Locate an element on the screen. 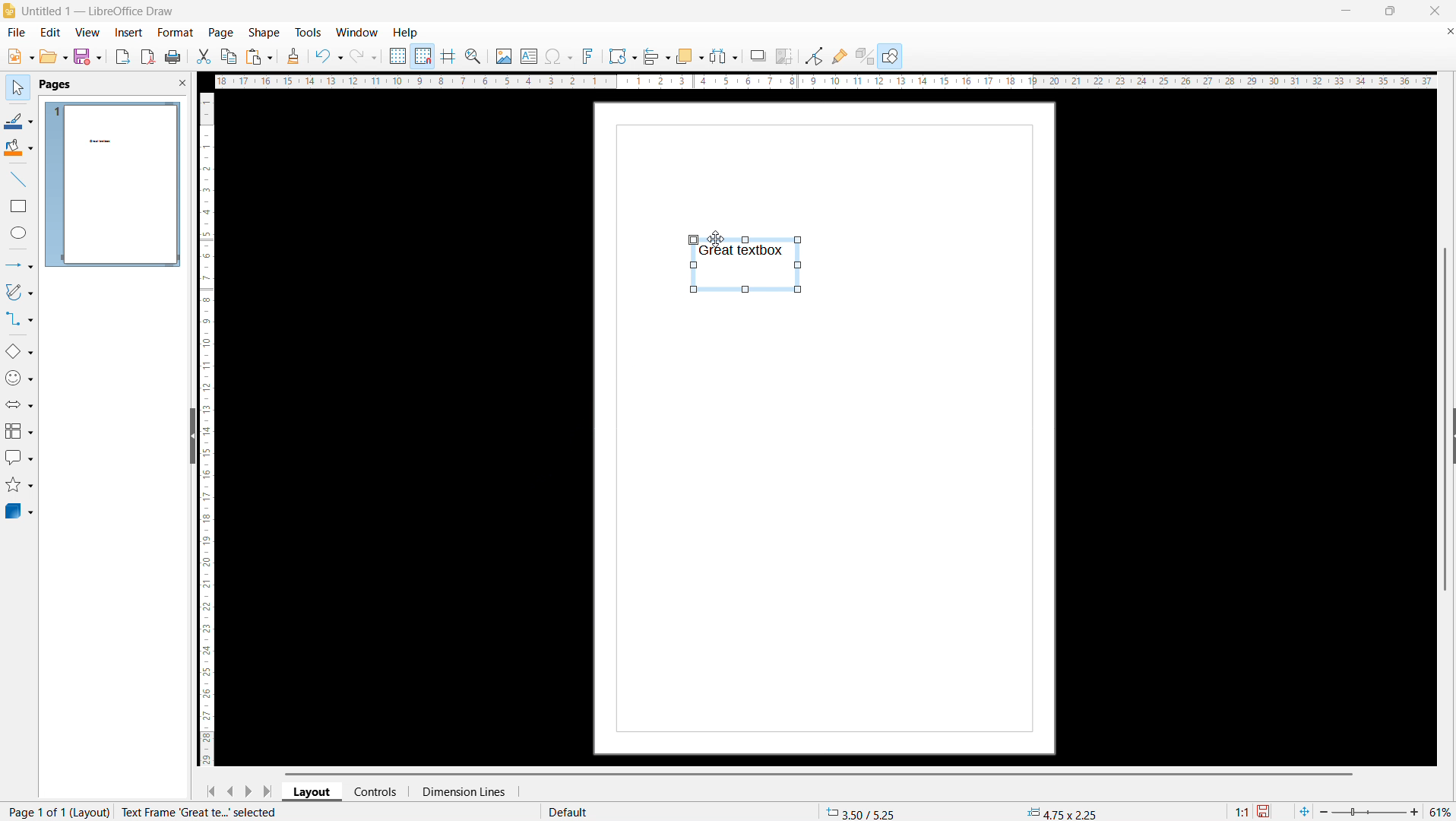  next page is located at coordinates (249, 791).